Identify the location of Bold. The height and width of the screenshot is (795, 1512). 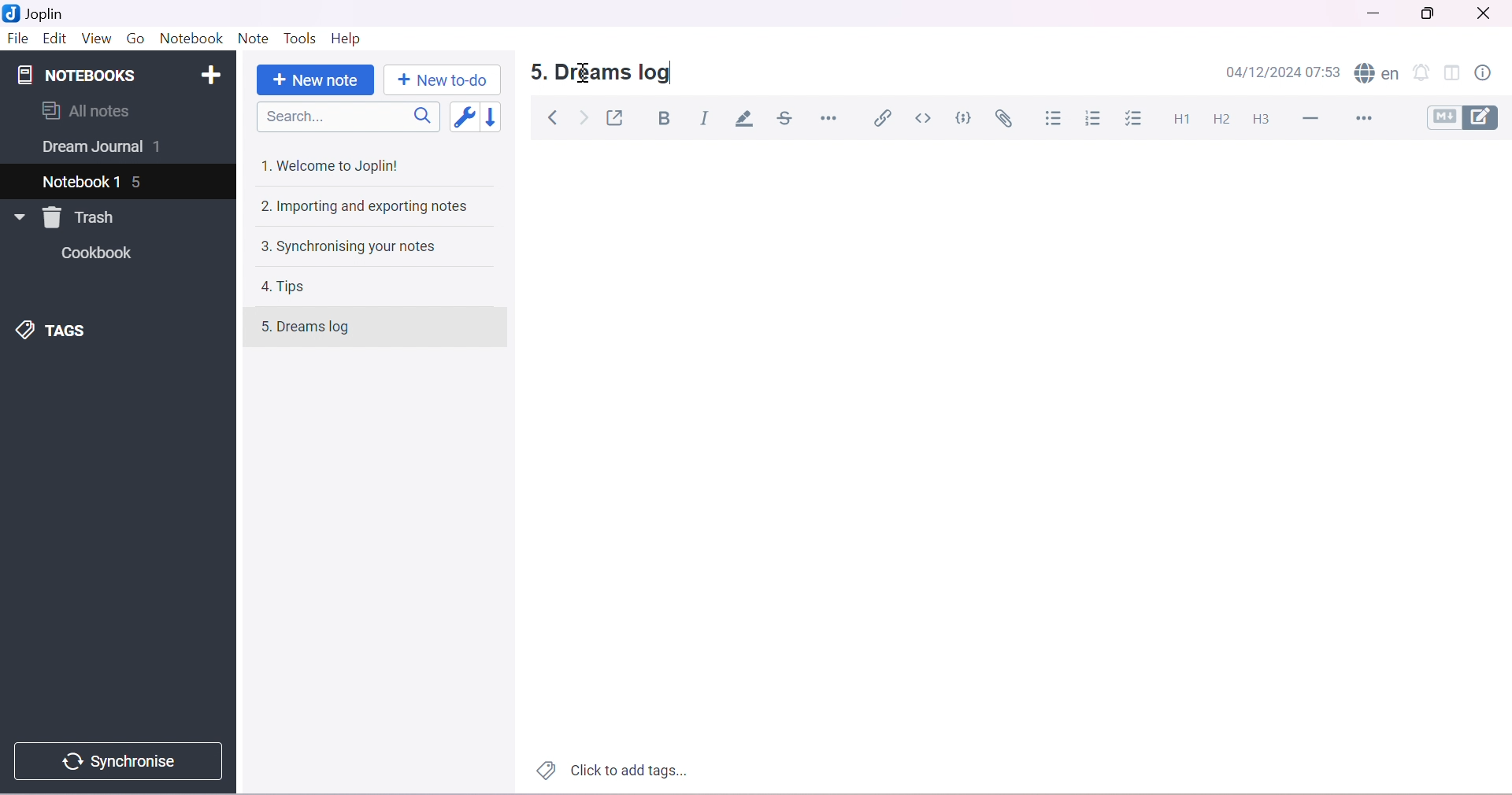
(669, 120).